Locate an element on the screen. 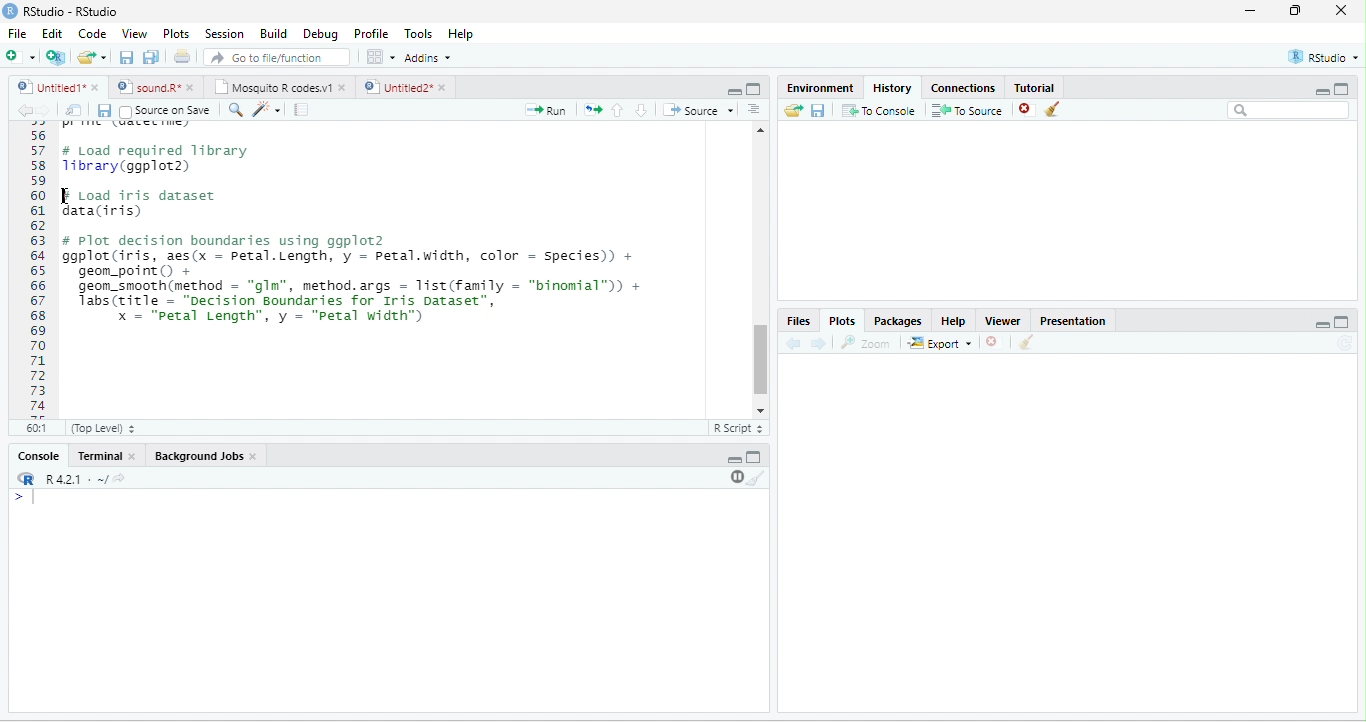 Image resolution: width=1366 pixels, height=722 pixels. R.4.2.1 .~/ is located at coordinates (71, 480).